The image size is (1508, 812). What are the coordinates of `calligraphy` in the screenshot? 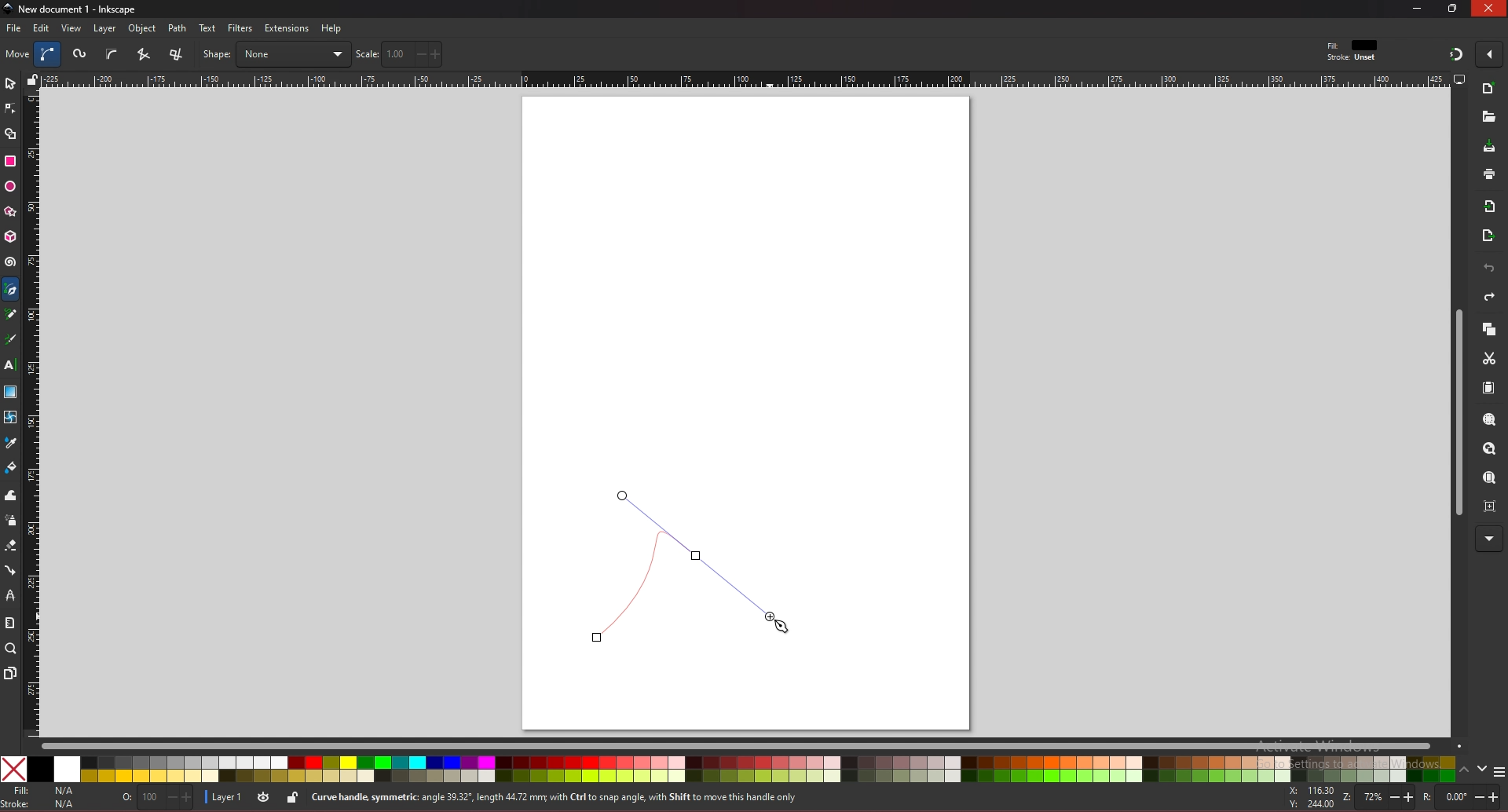 It's located at (13, 341).